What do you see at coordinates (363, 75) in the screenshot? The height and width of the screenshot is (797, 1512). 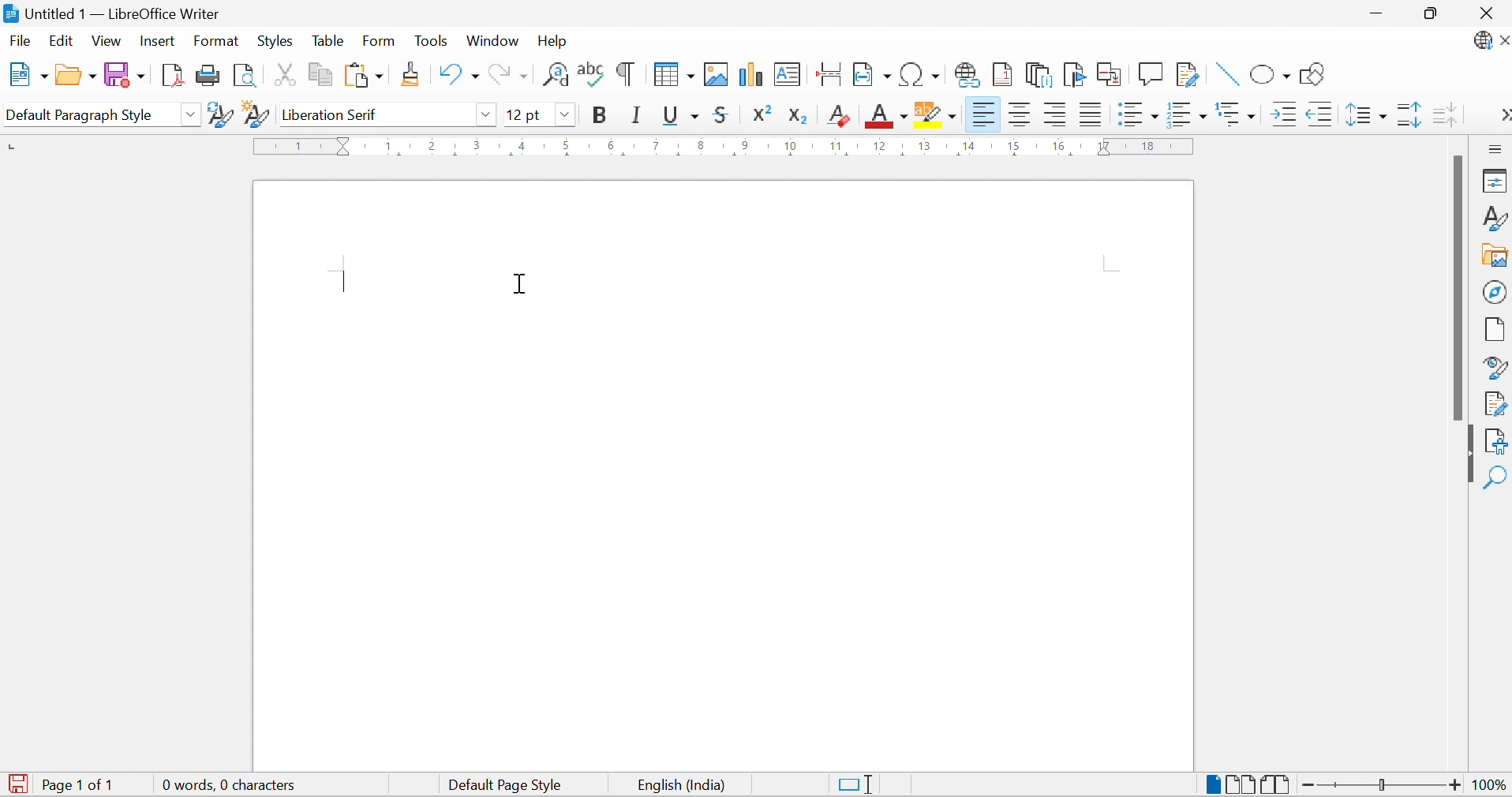 I see `Paste` at bounding box center [363, 75].